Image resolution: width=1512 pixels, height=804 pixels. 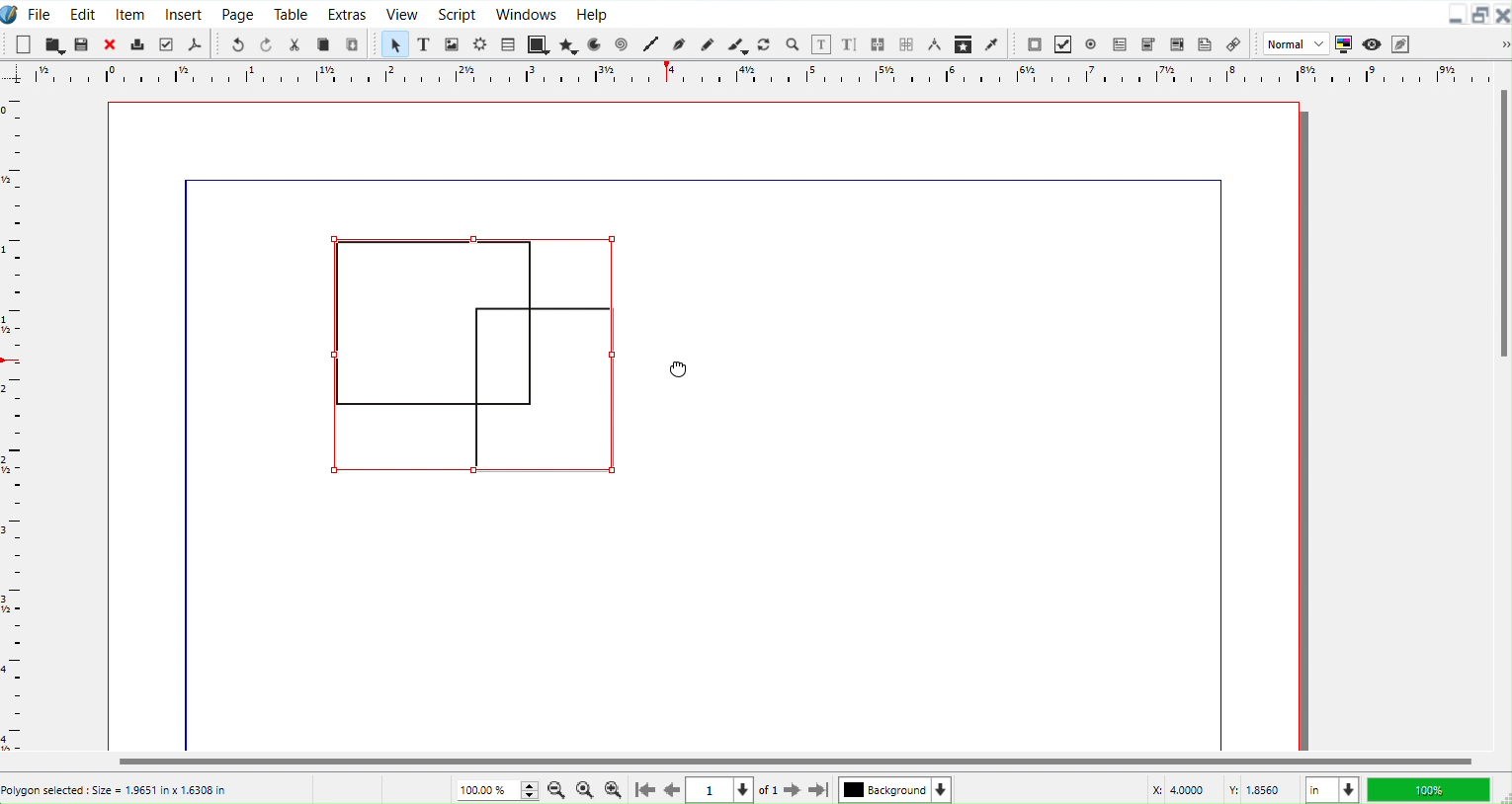 I want to click on Save as PDF, so click(x=195, y=43).